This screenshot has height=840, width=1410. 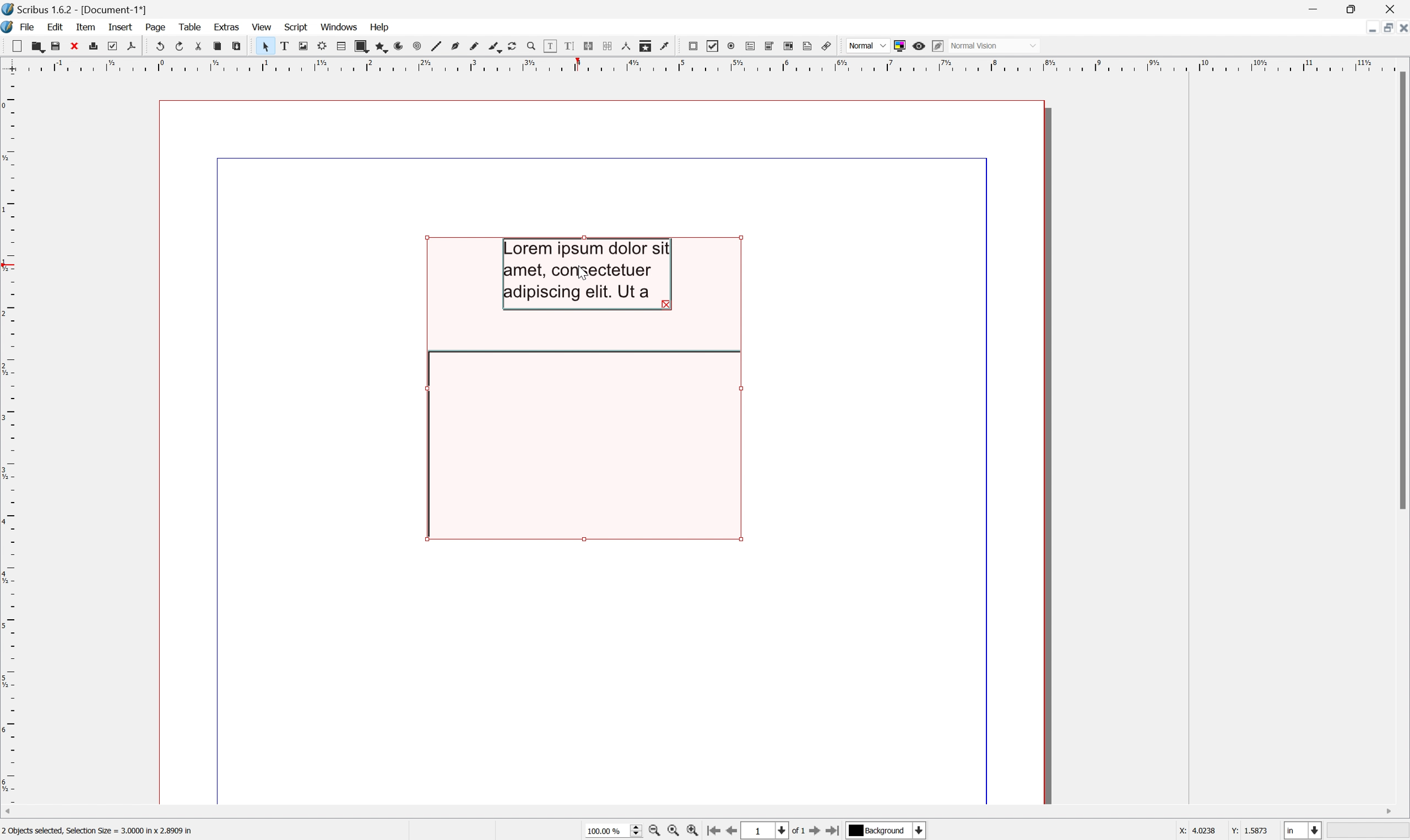 I want to click on Minimize, so click(x=1363, y=27).